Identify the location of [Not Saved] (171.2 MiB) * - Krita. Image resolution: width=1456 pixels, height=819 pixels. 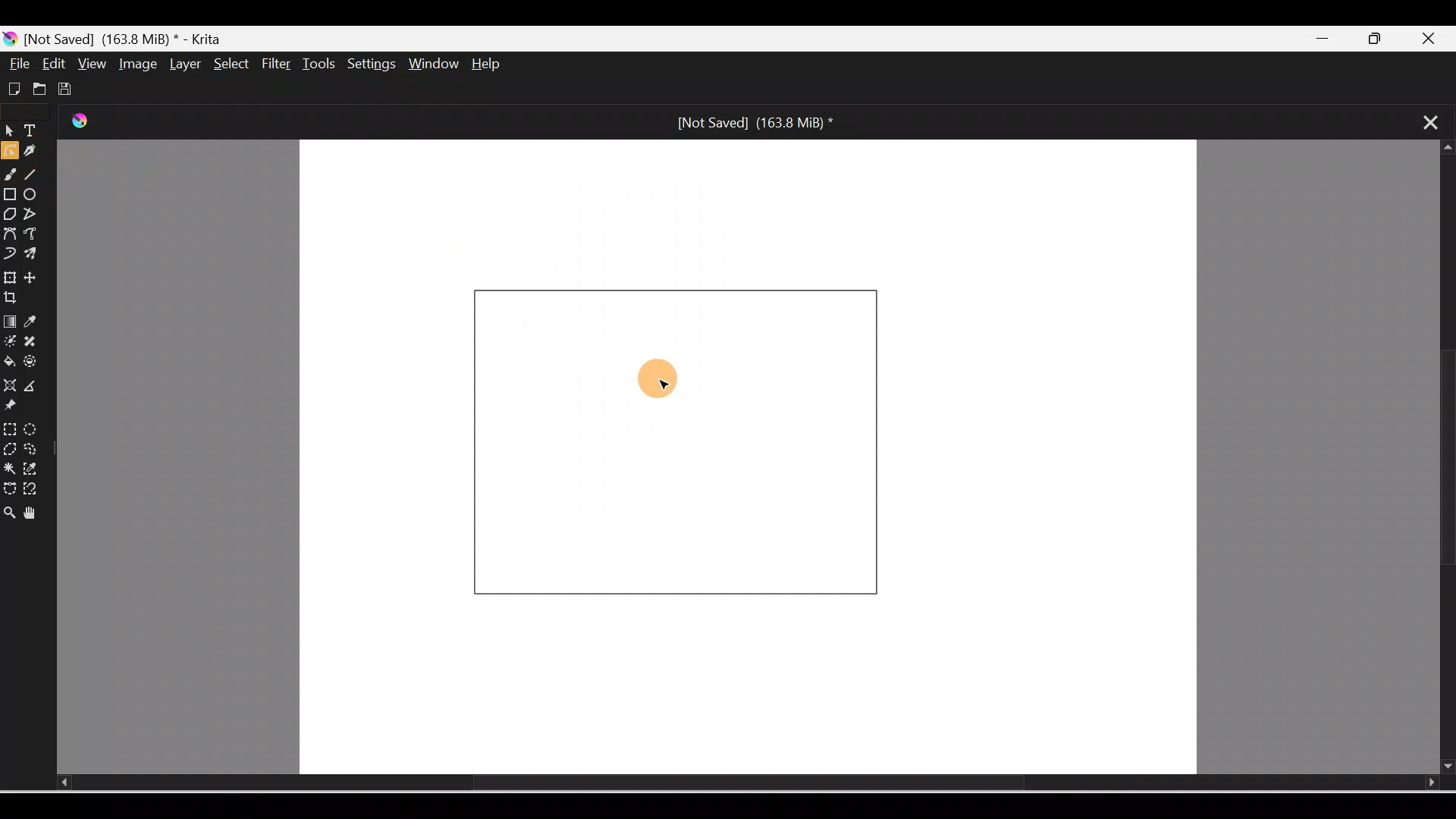
(121, 37).